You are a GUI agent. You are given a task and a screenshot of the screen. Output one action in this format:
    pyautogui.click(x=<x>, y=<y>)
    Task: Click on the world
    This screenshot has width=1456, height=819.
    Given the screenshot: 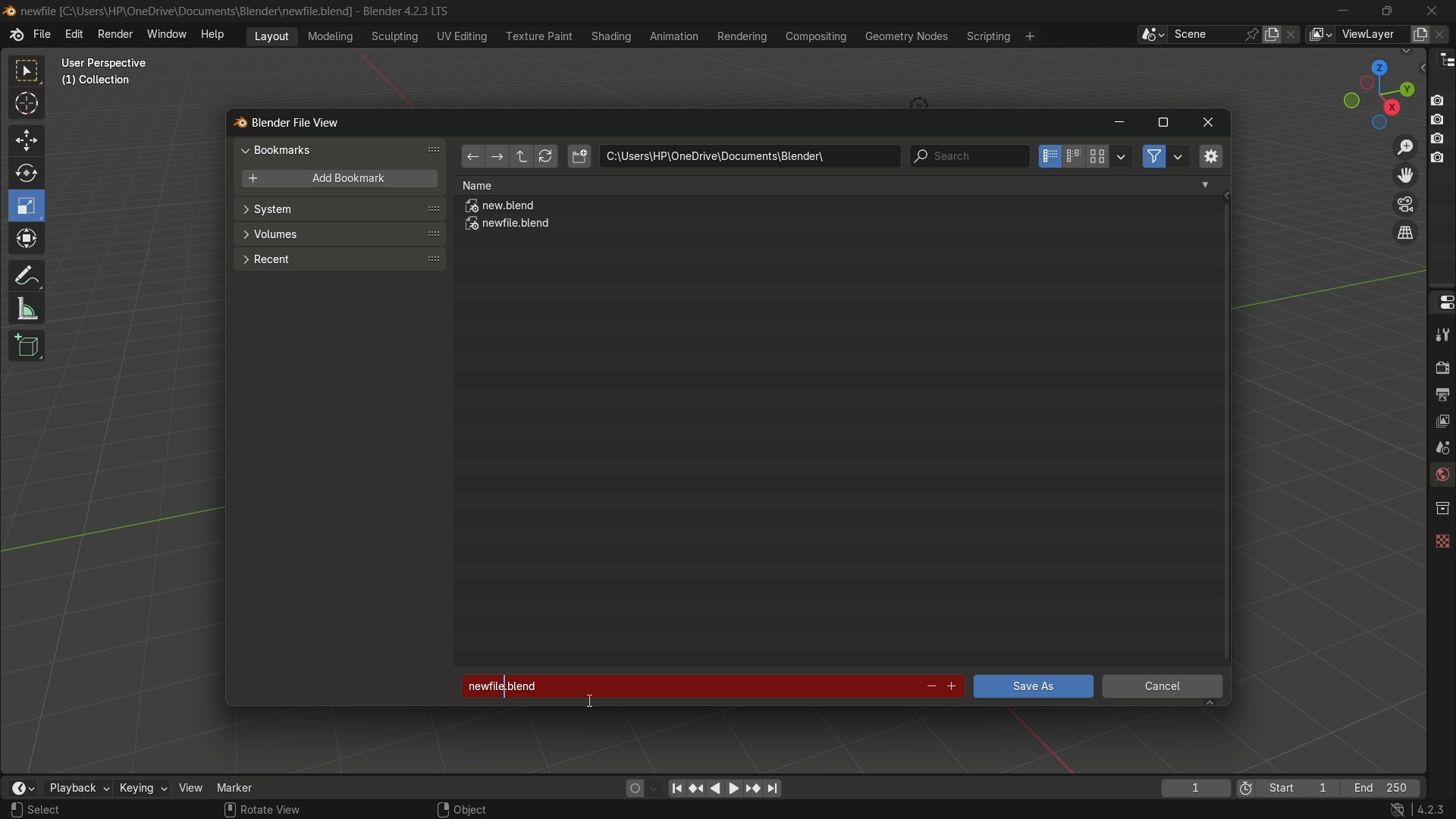 What is the action you would take?
    pyautogui.click(x=1441, y=476)
    